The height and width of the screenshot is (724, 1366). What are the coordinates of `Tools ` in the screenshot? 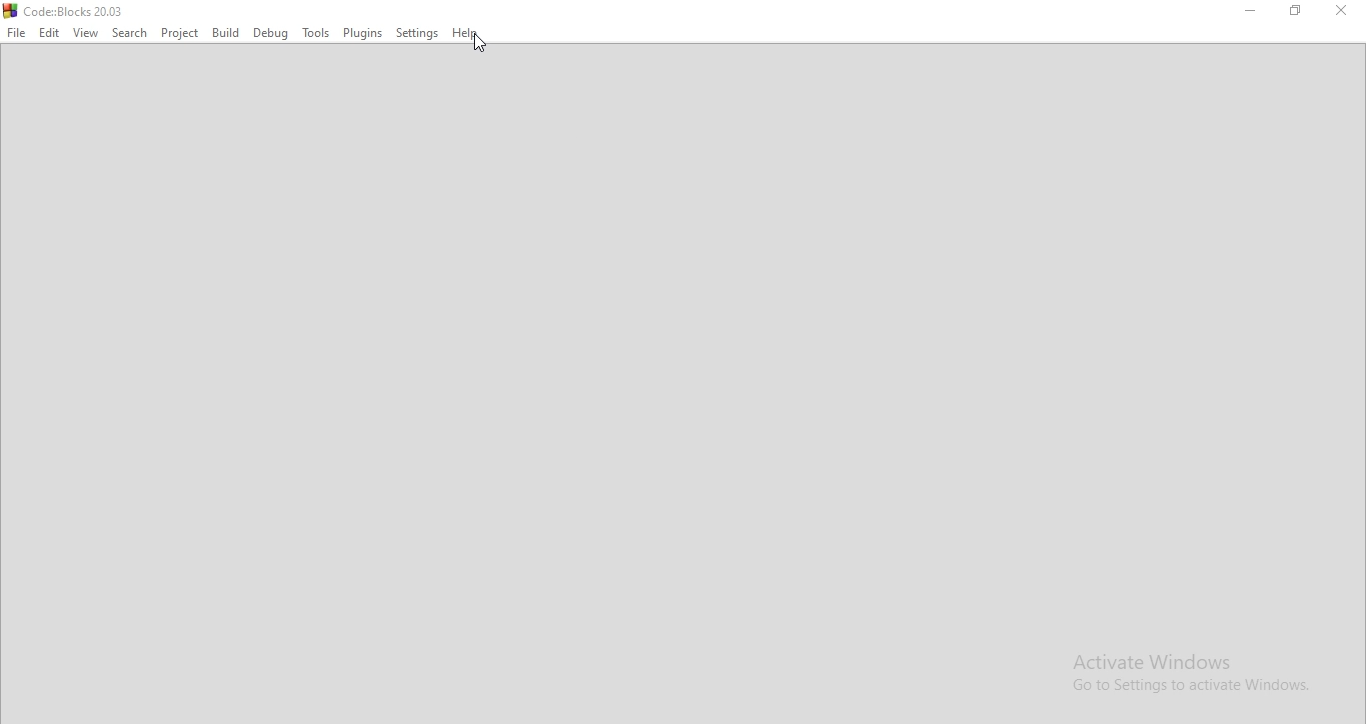 It's located at (316, 31).